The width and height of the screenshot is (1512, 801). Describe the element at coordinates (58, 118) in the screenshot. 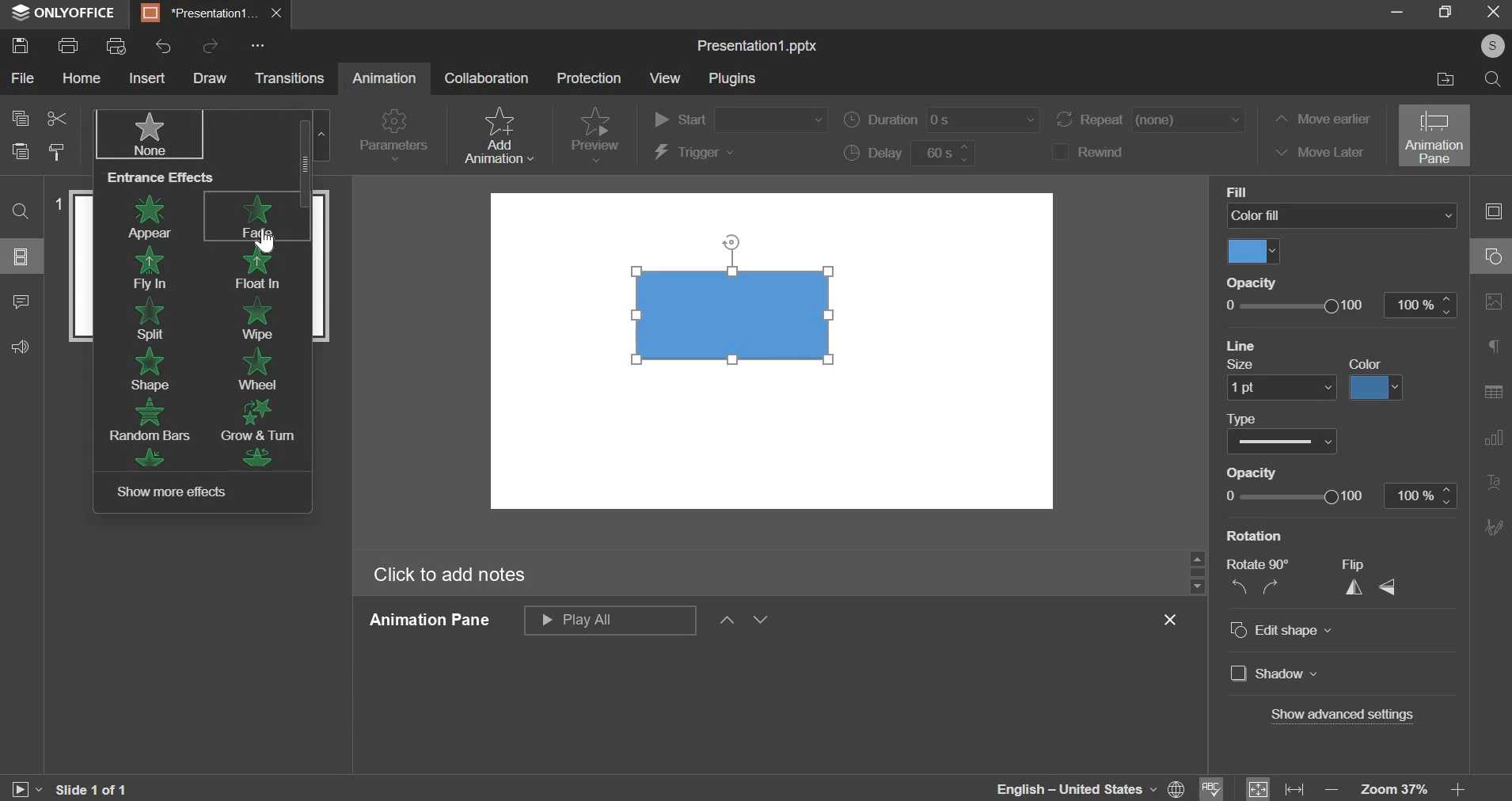

I see `cut` at that location.